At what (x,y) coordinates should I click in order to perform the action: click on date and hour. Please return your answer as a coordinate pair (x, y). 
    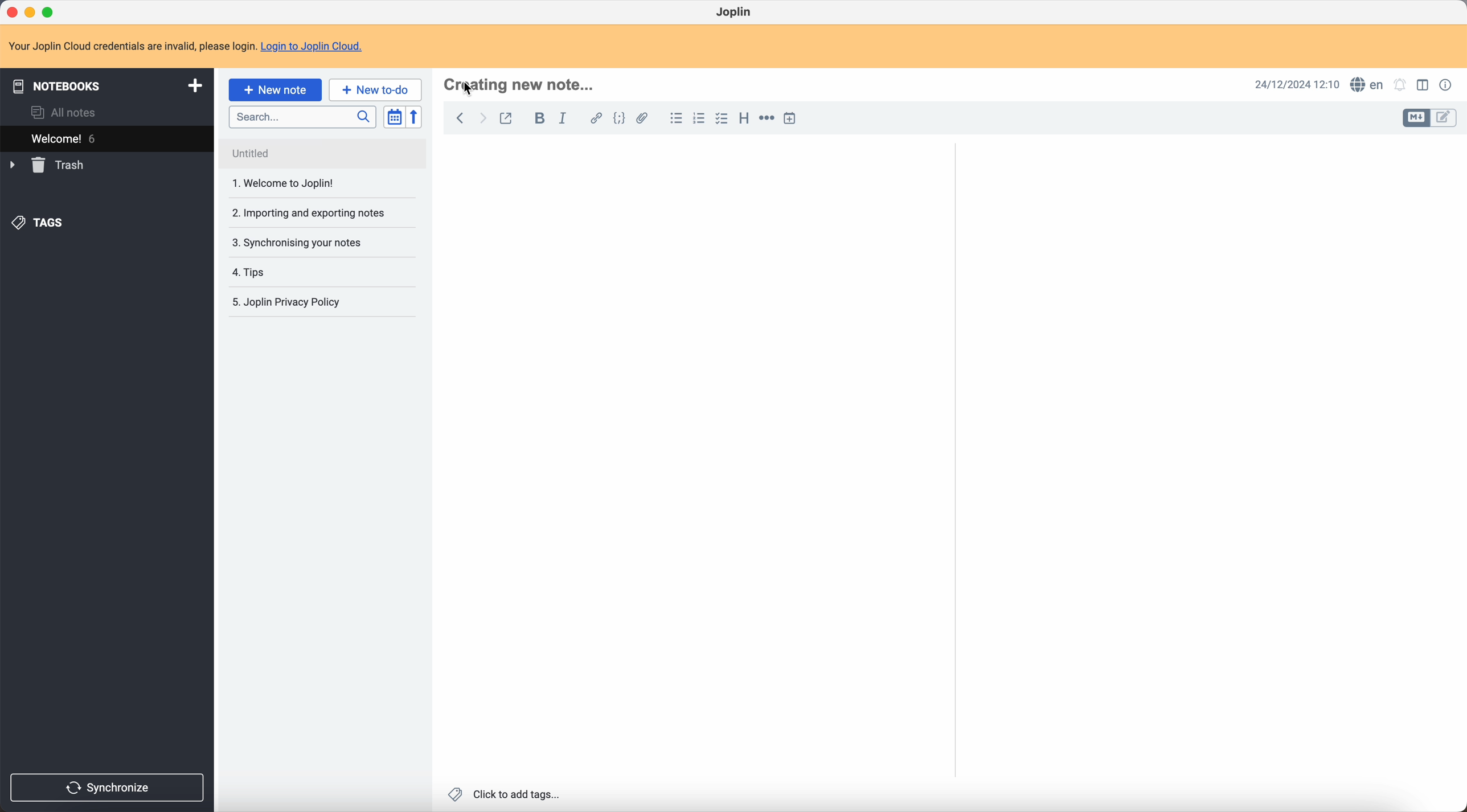
    Looking at the image, I should click on (1297, 84).